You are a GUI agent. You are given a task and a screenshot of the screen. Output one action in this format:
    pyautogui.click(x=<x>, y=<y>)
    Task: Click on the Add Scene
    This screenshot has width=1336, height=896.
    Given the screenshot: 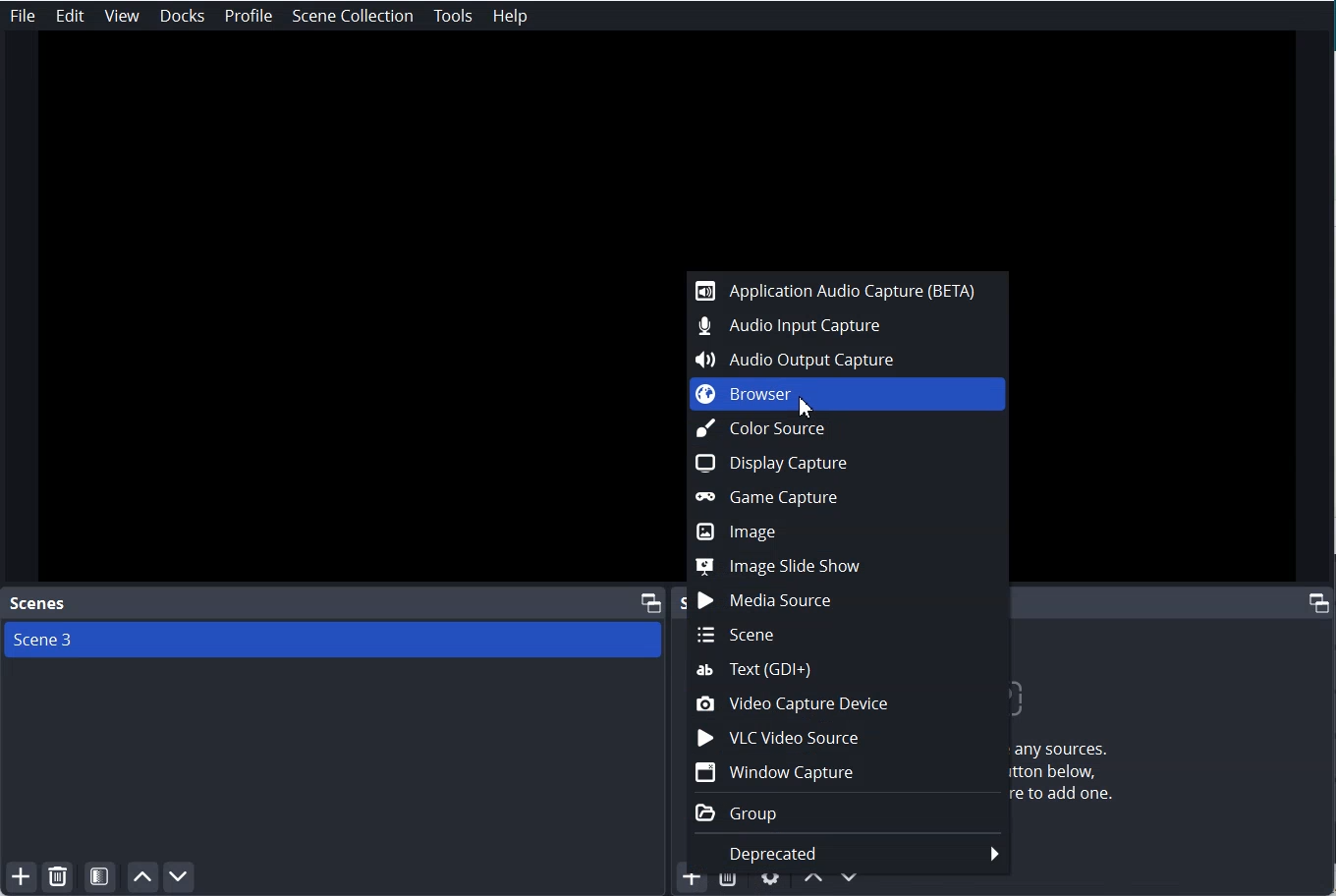 What is the action you would take?
    pyautogui.click(x=18, y=878)
    